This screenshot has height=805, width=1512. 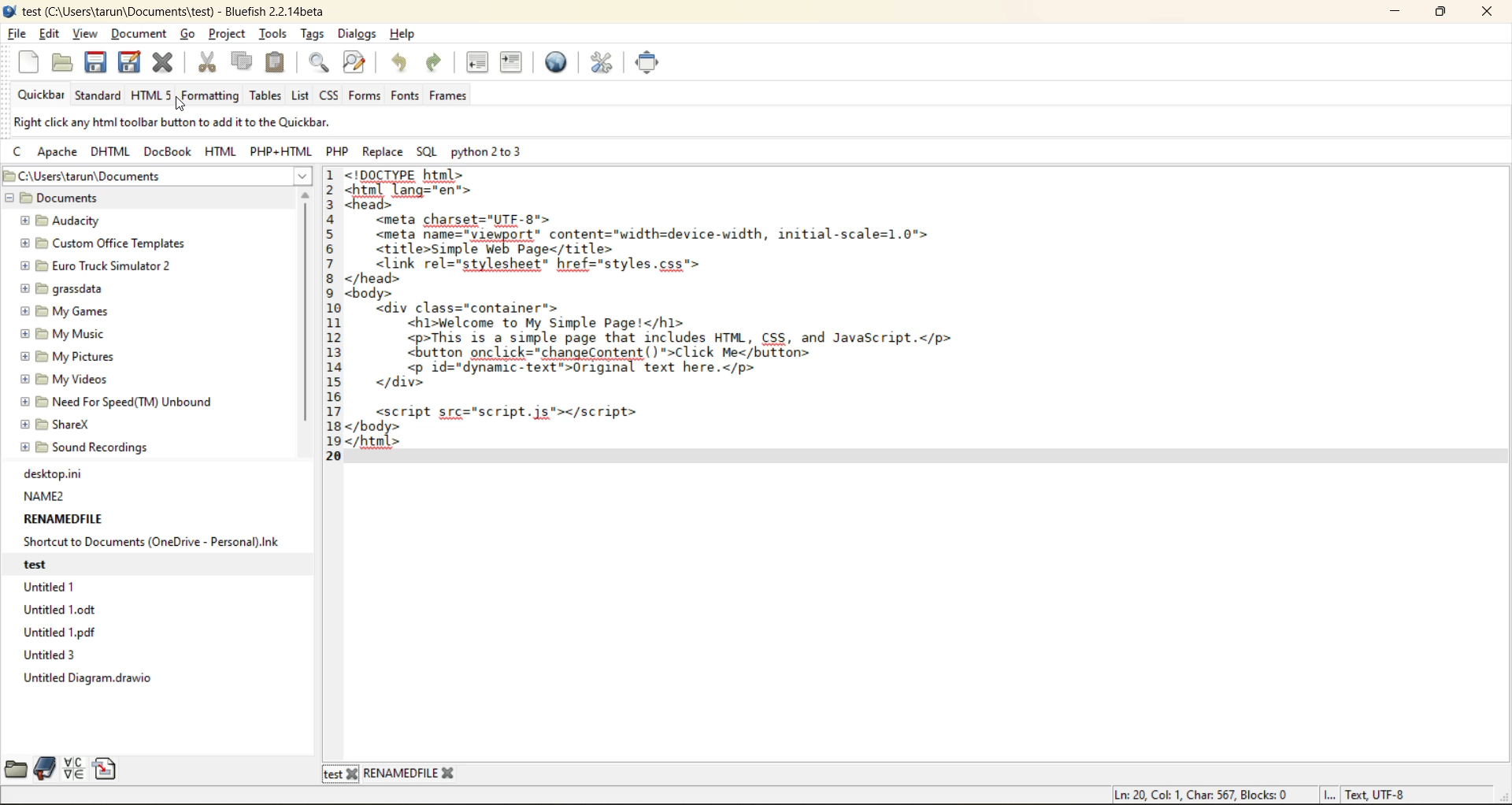 I want to click on standard, so click(x=99, y=95).